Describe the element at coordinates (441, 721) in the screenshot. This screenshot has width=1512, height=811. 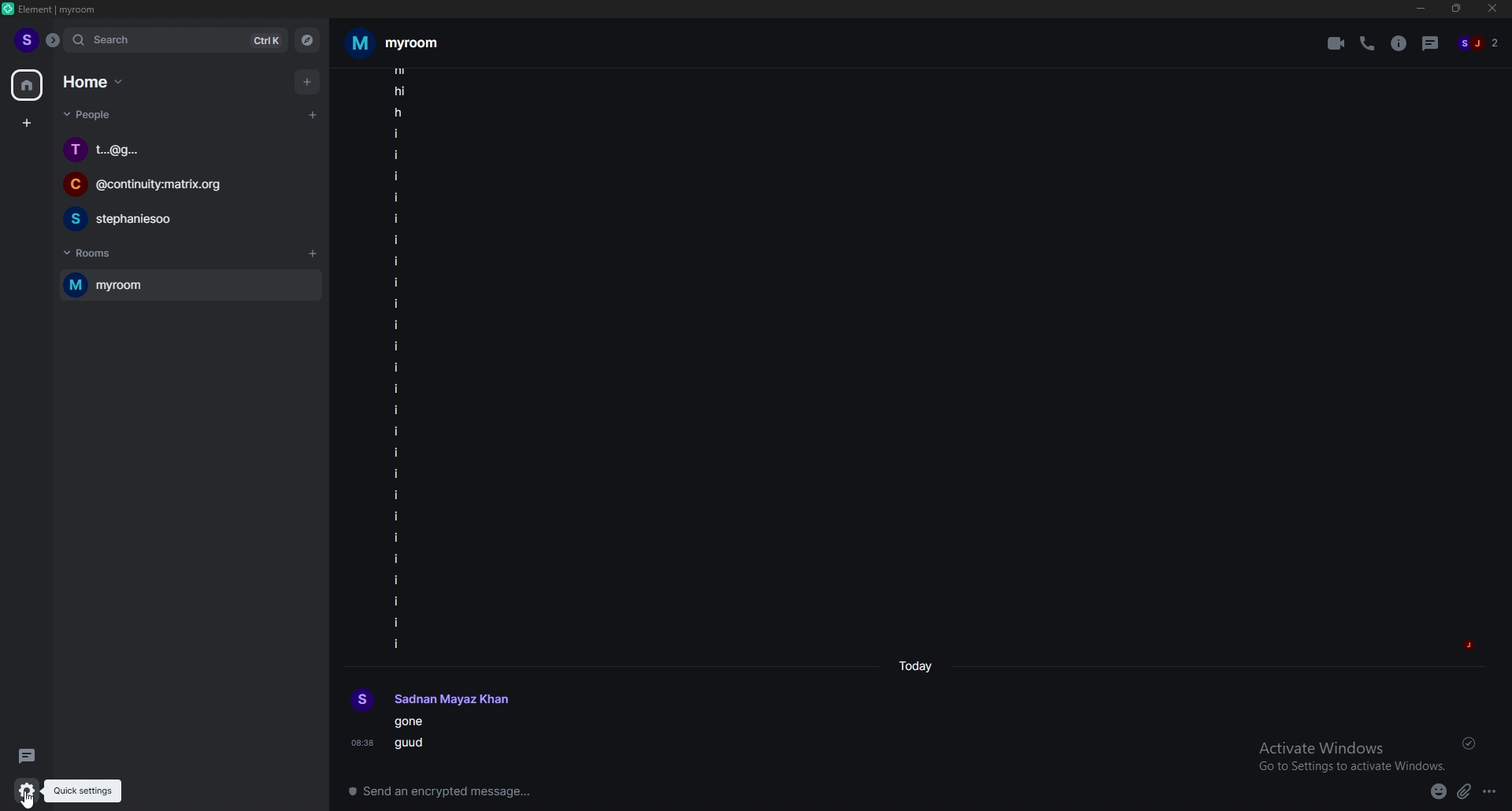
I see `text` at that location.